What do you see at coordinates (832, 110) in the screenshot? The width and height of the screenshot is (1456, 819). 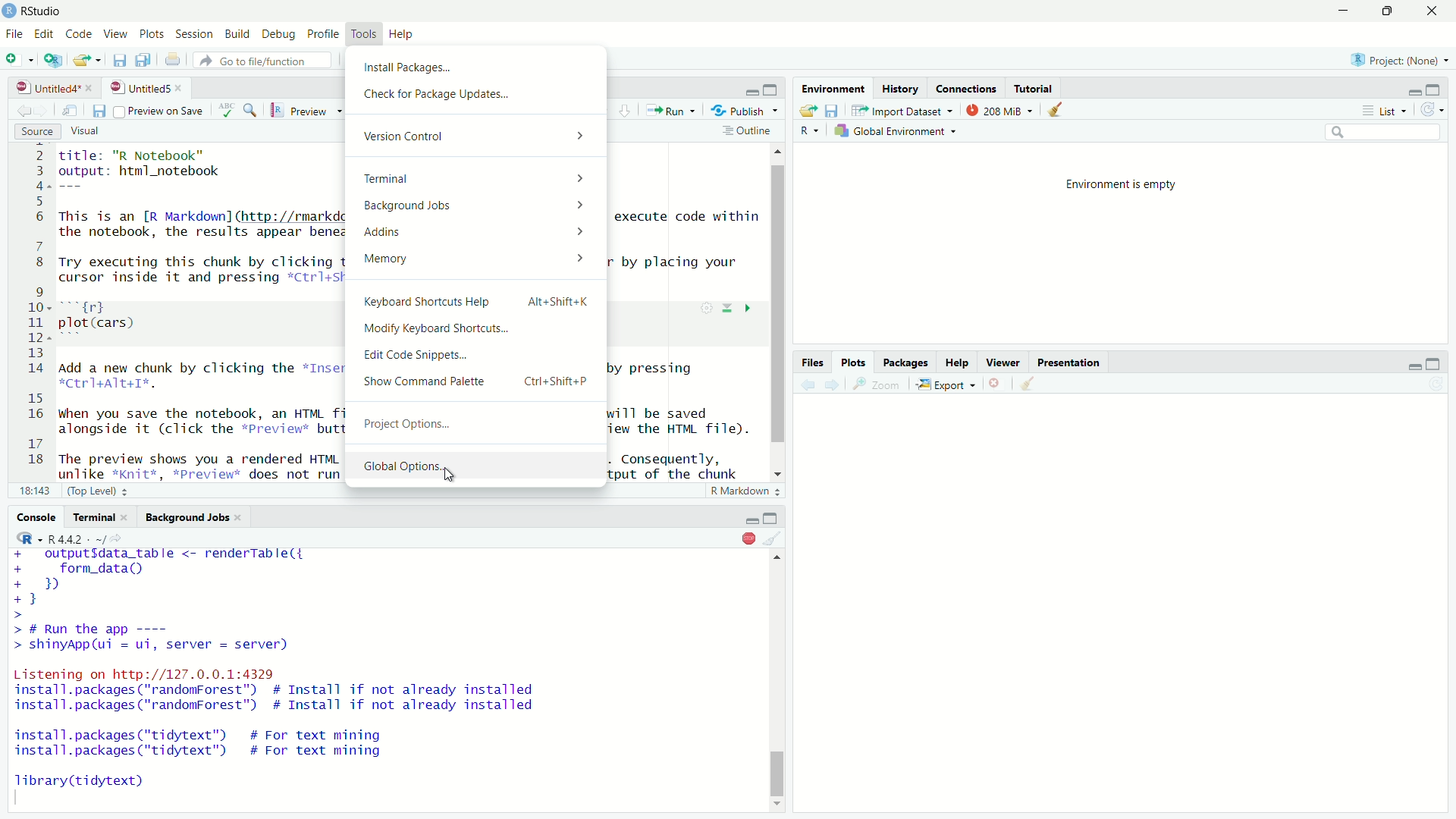 I see `save workspace` at bounding box center [832, 110].